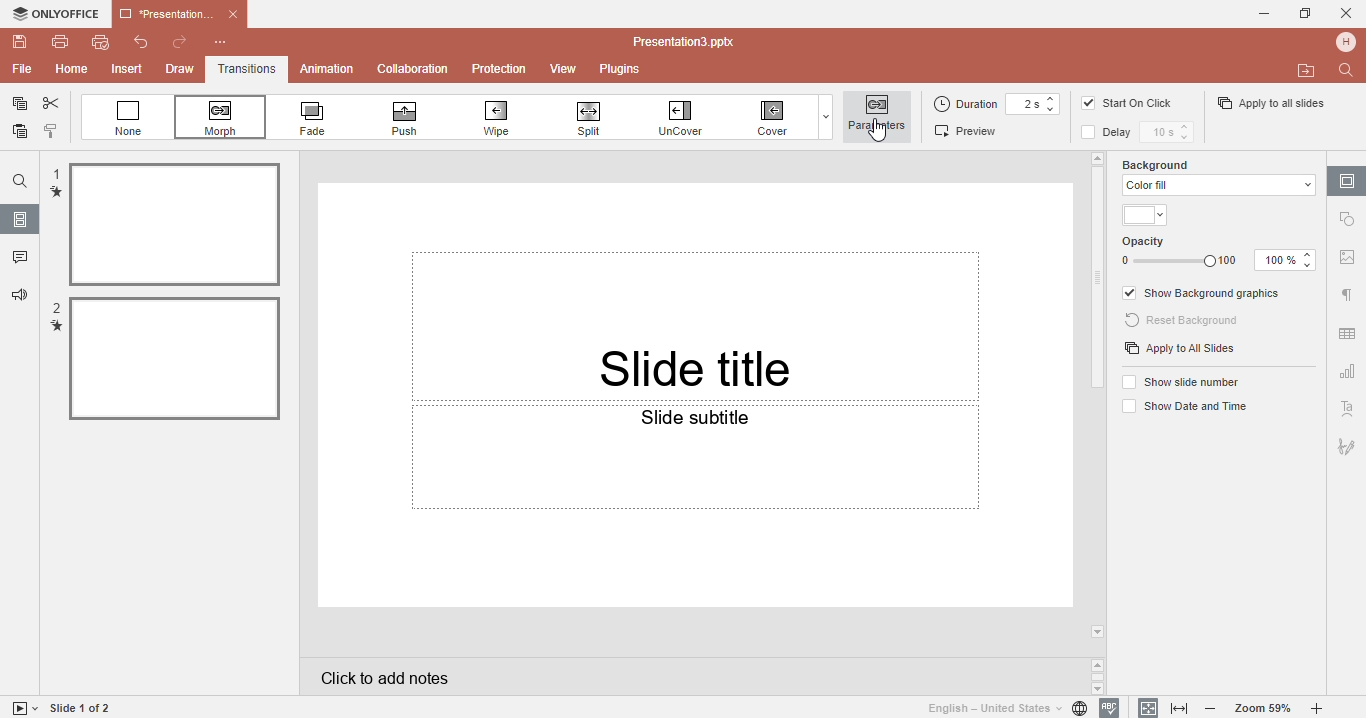  What do you see at coordinates (1349, 219) in the screenshot?
I see `Shape settings` at bounding box center [1349, 219].